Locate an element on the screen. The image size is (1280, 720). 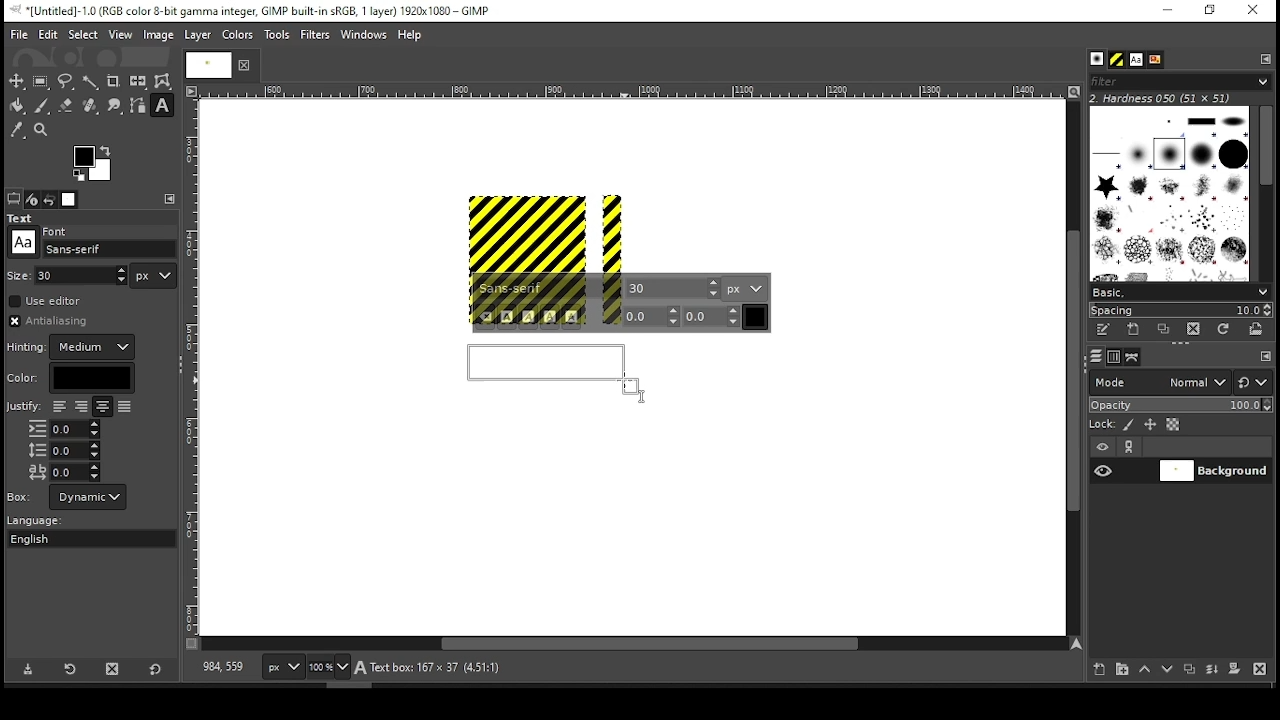
zoom level is located at coordinates (328, 669).